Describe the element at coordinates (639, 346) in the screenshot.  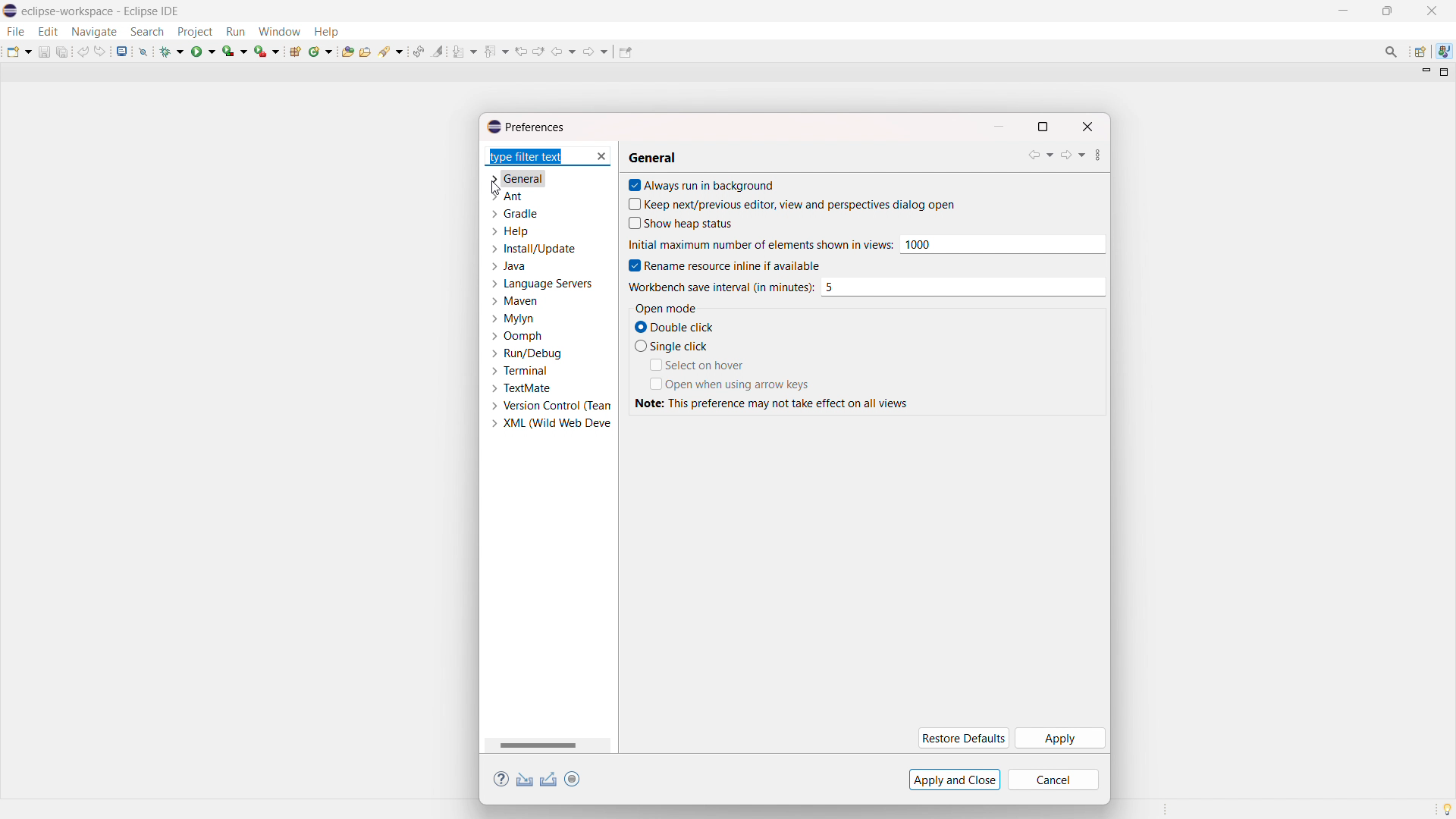
I see `Checkbox` at that location.